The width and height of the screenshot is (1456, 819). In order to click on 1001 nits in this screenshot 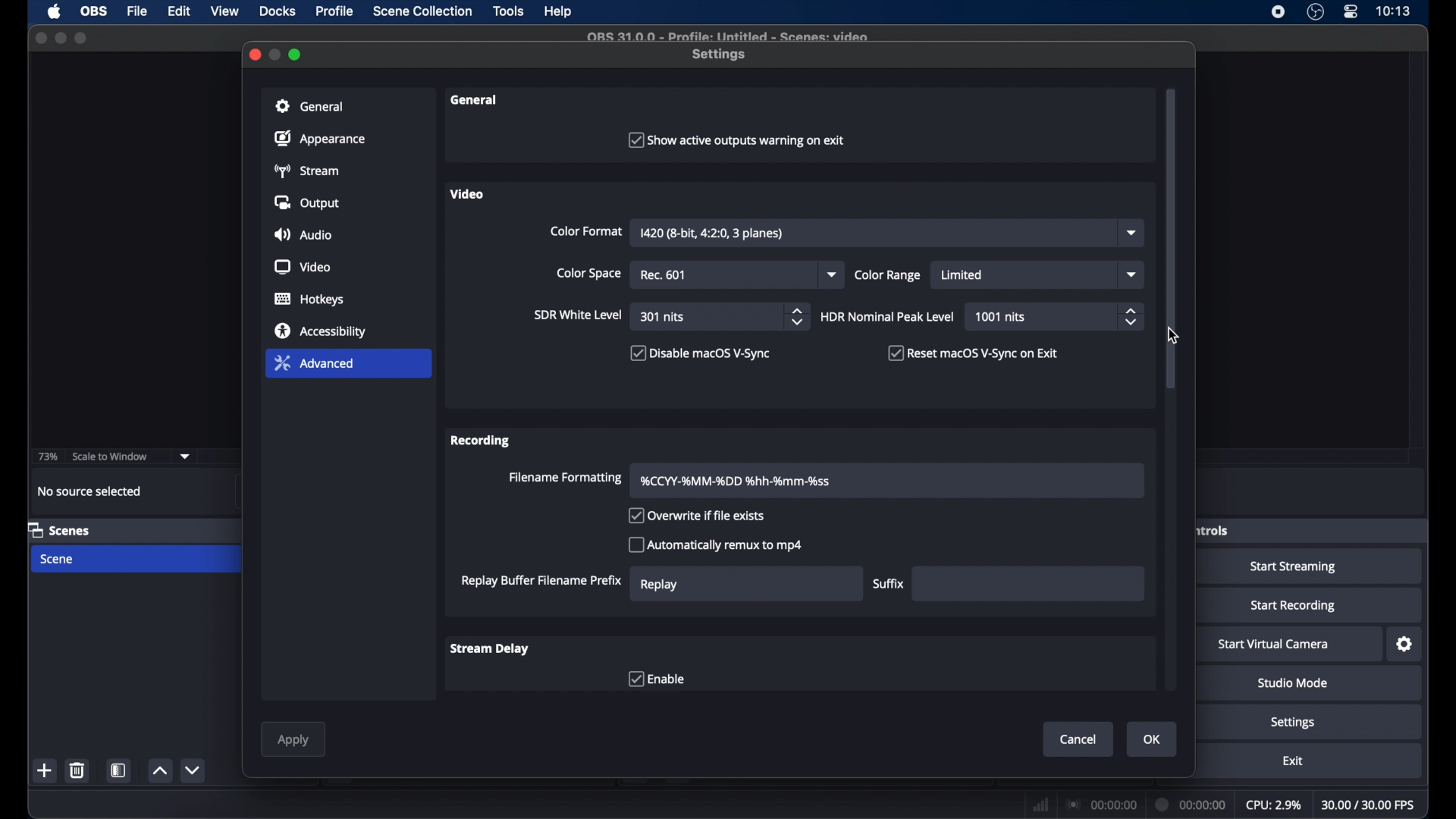, I will do `click(1000, 317)`.